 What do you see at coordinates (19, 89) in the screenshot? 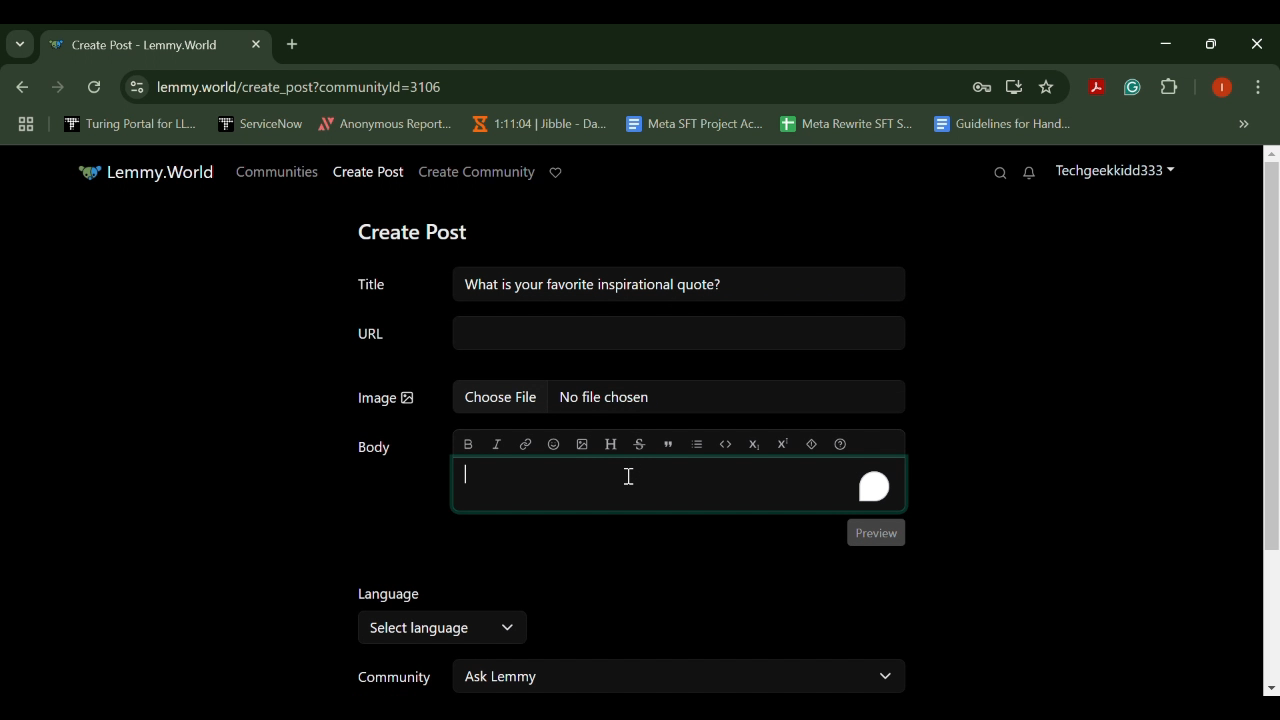
I see `Previous Webpage` at bounding box center [19, 89].